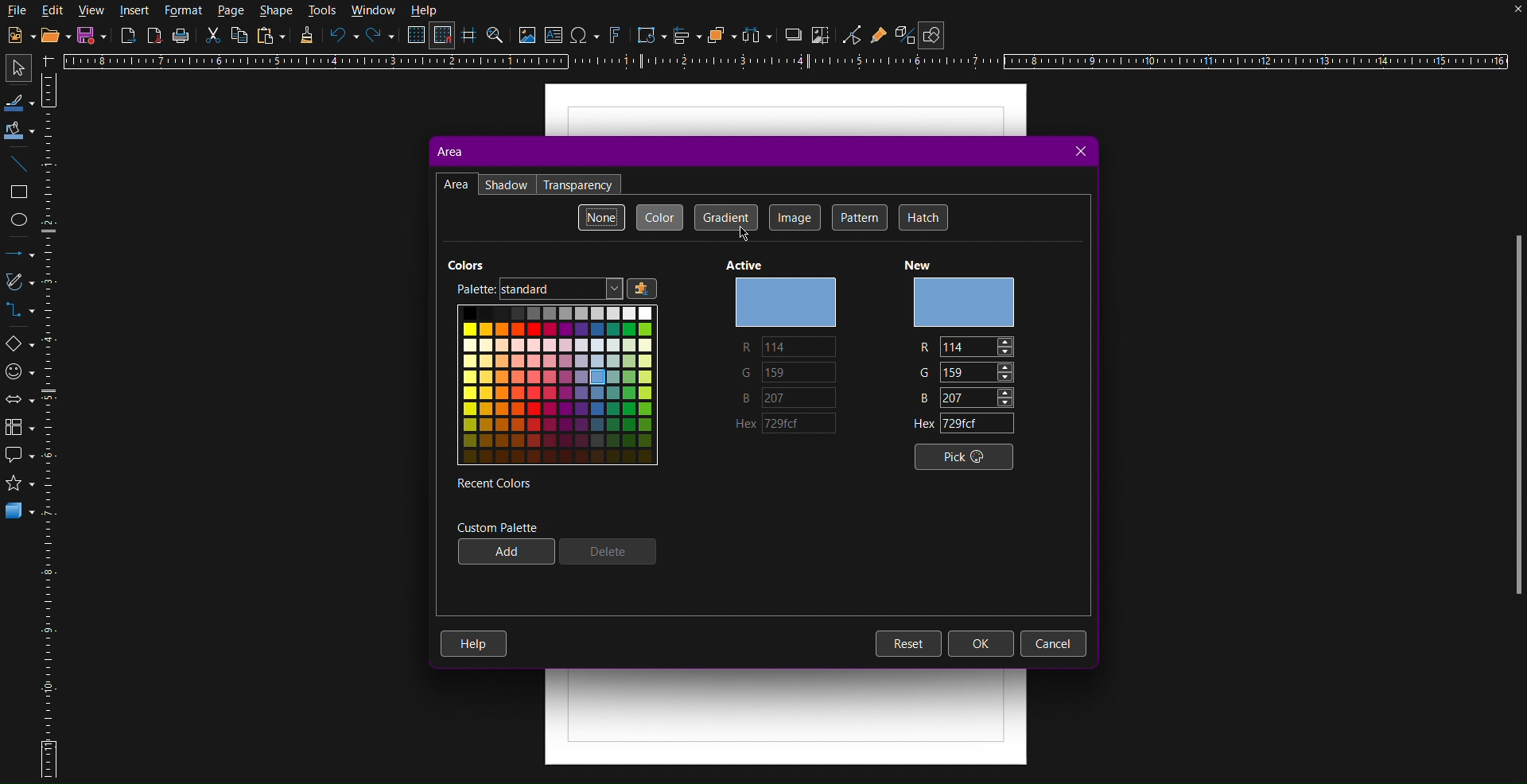 This screenshot has width=1527, height=784. Describe the element at coordinates (323, 11) in the screenshot. I see `Tools` at that location.